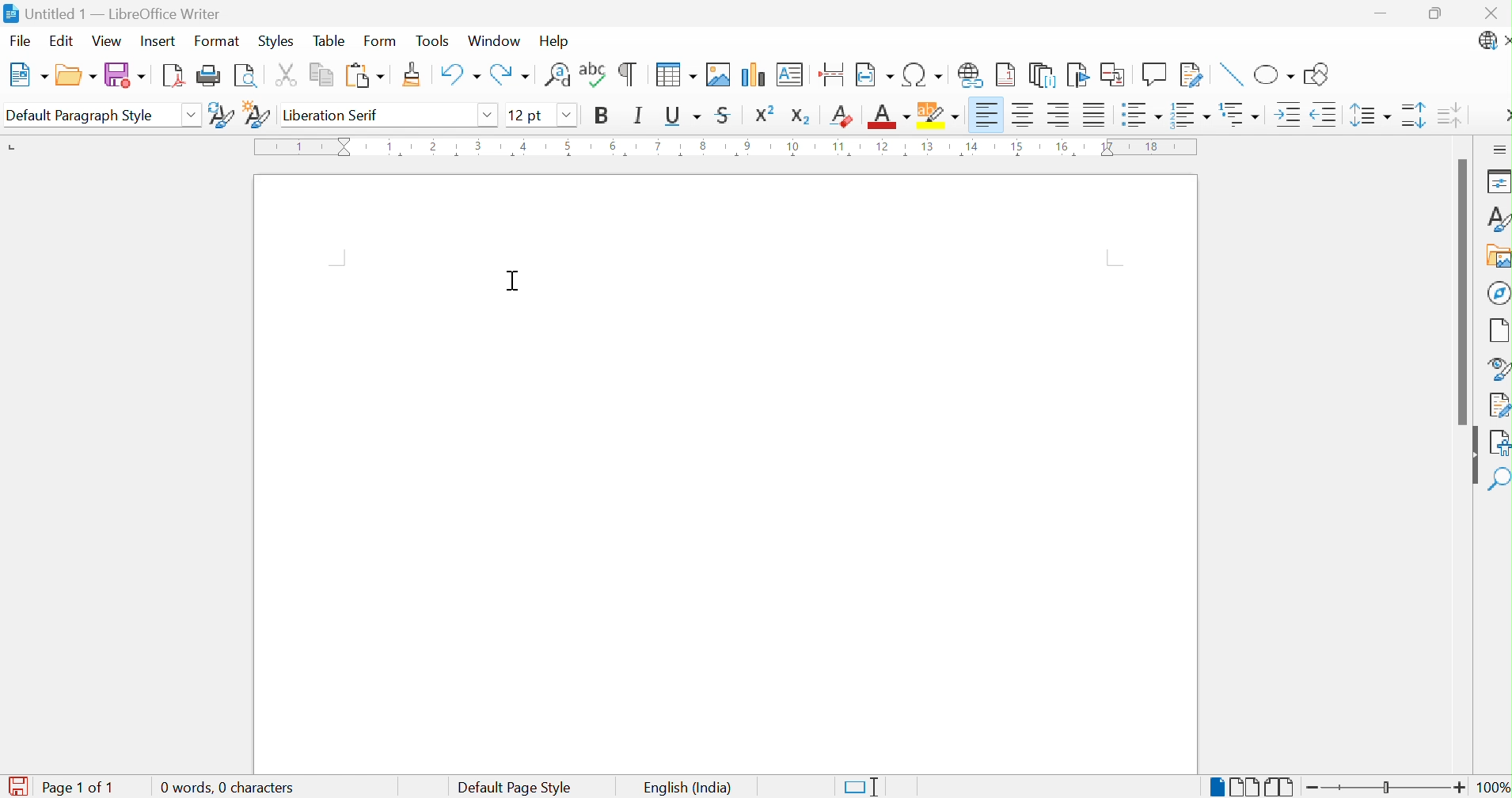  I want to click on Check Spelling, so click(593, 78).